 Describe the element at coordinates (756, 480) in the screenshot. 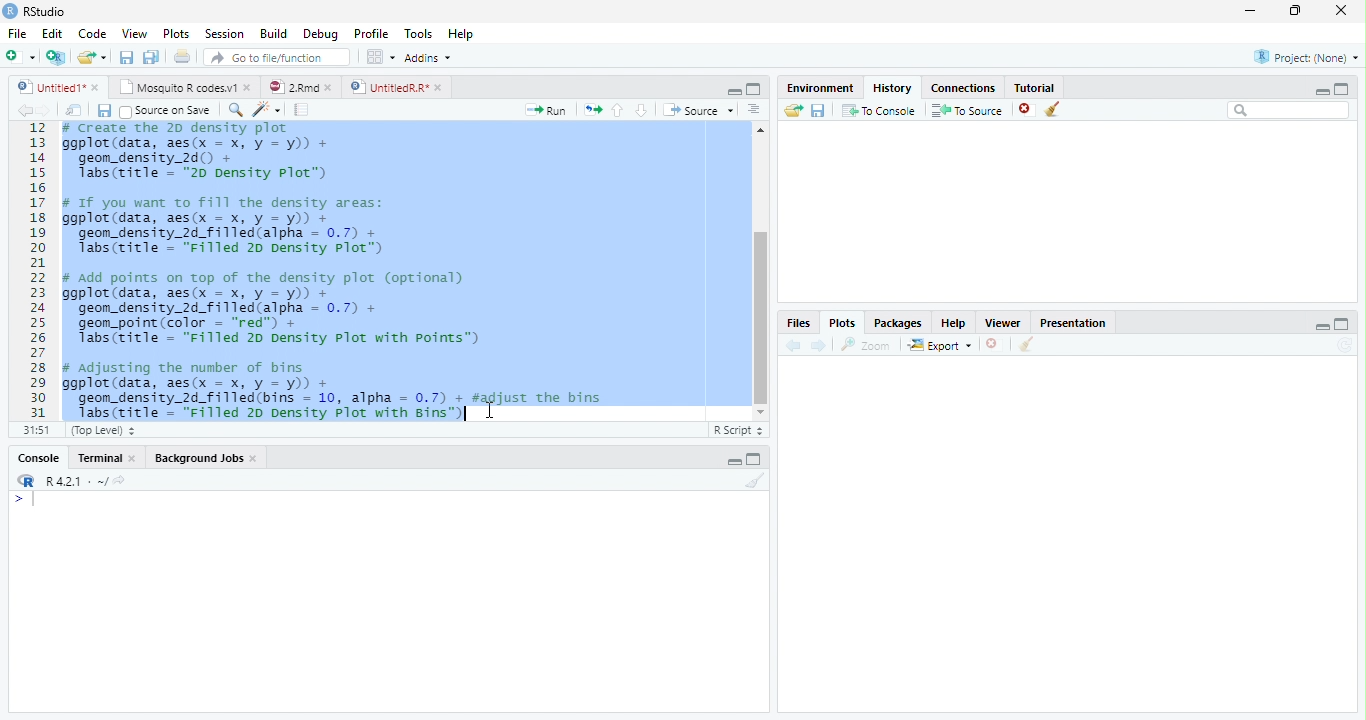

I see `Clear` at that location.